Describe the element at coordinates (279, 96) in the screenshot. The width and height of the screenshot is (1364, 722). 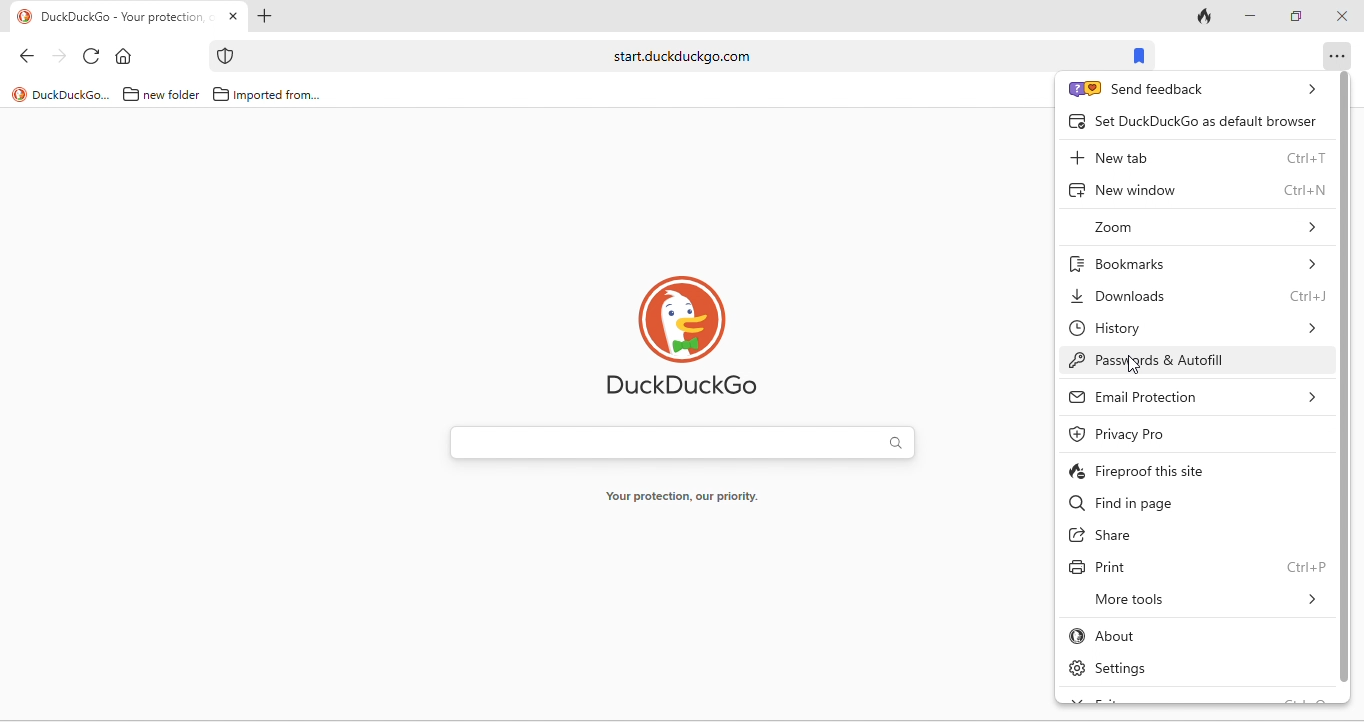
I see `imported from` at that location.